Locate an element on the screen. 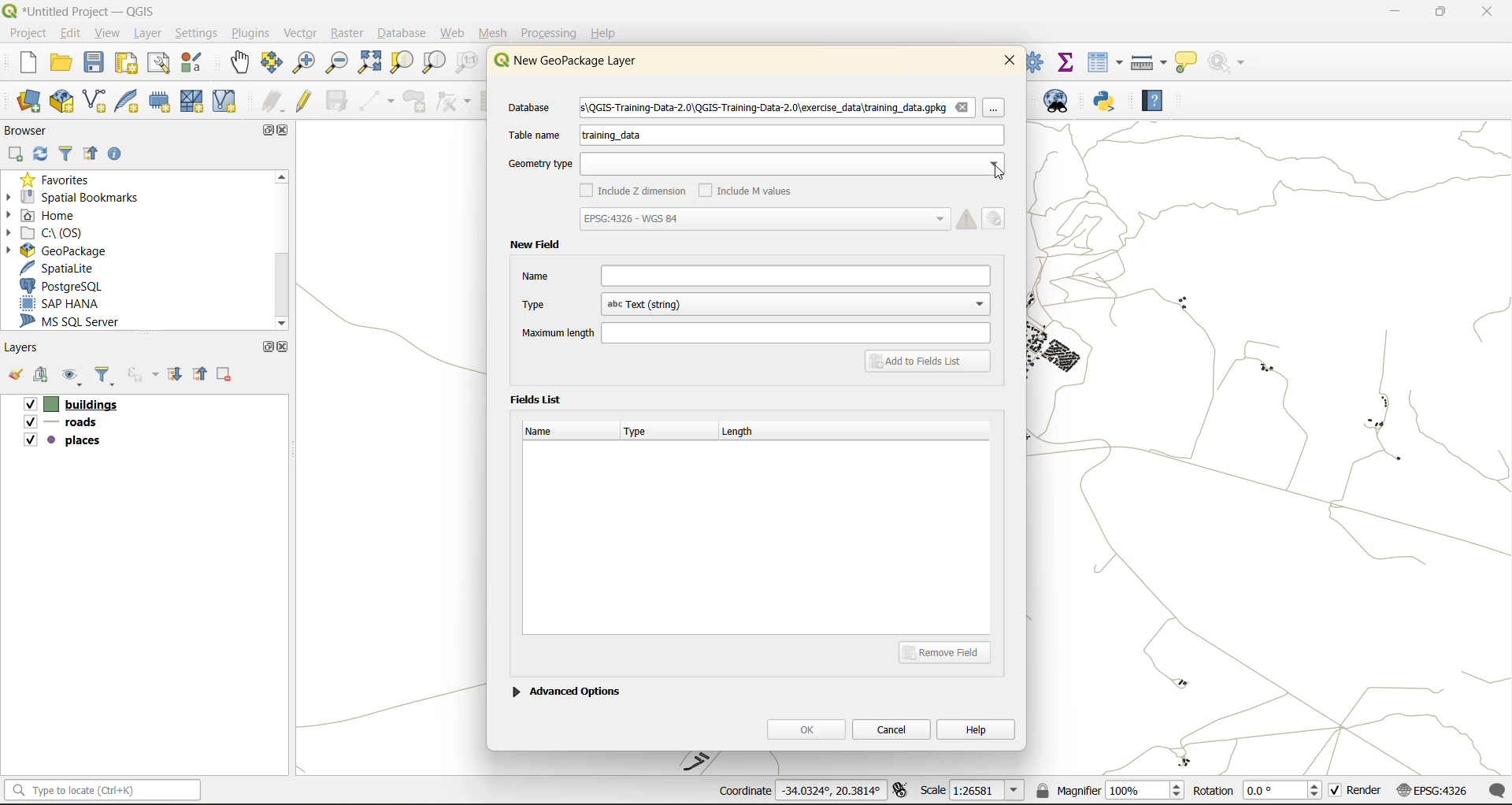 This screenshot has height=805, width=1512. home is located at coordinates (47, 215).